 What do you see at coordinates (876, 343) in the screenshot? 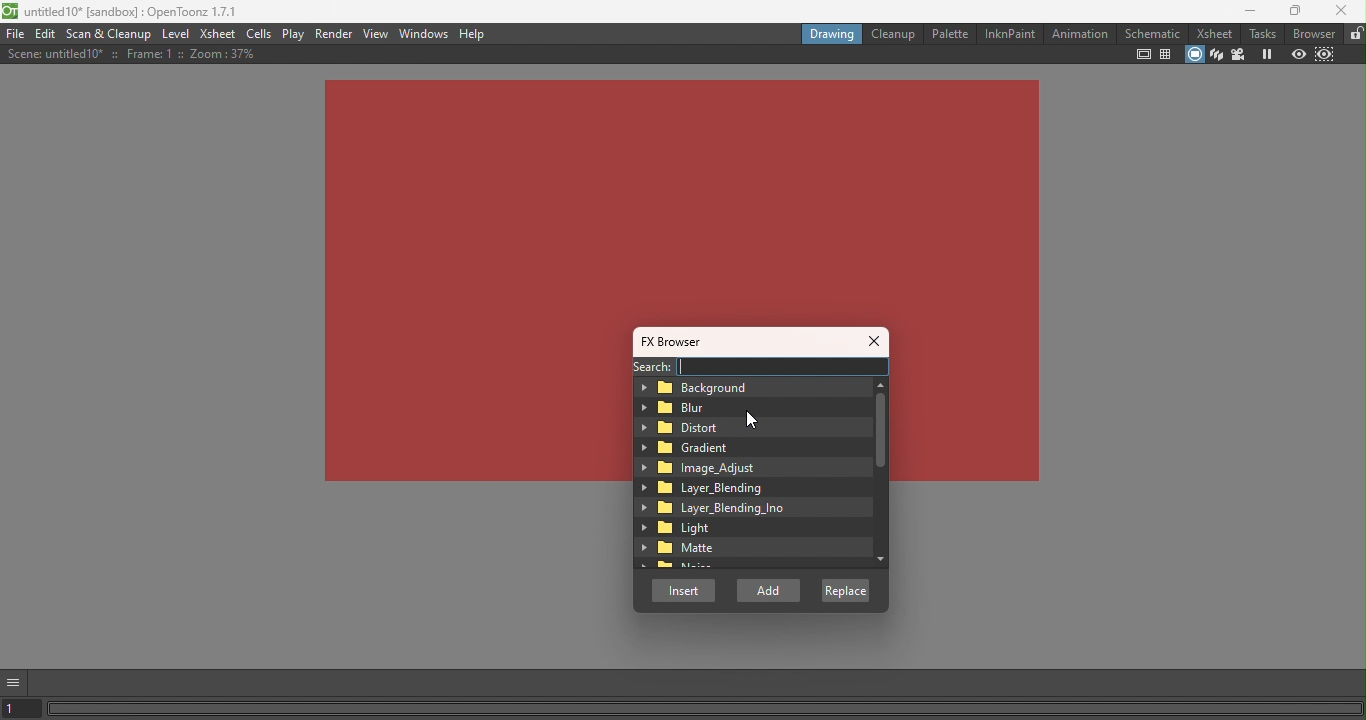
I see `Close` at bounding box center [876, 343].